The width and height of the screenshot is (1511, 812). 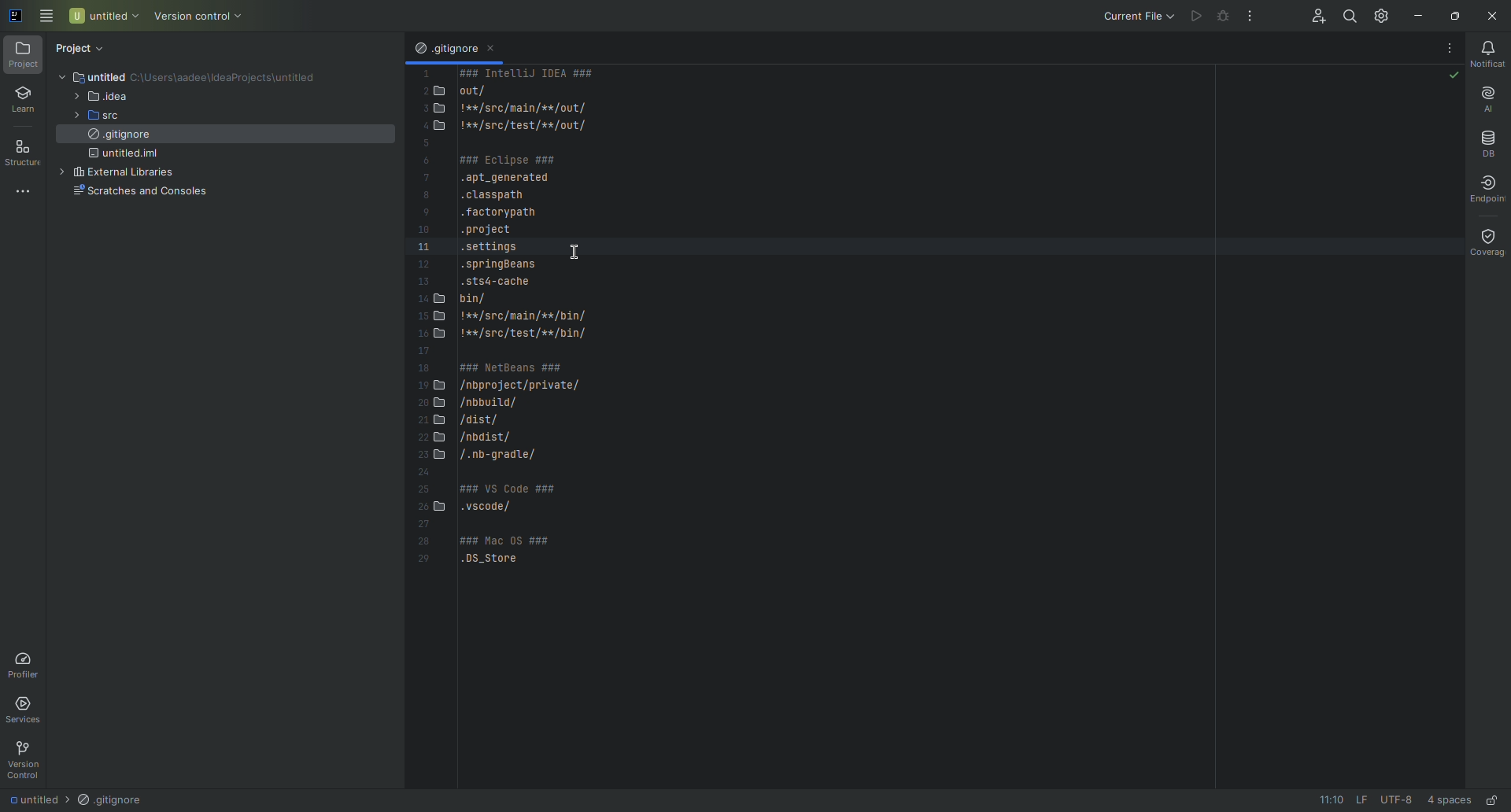 What do you see at coordinates (111, 800) in the screenshot?
I see `.gitgmore` at bounding box center [111, 800].